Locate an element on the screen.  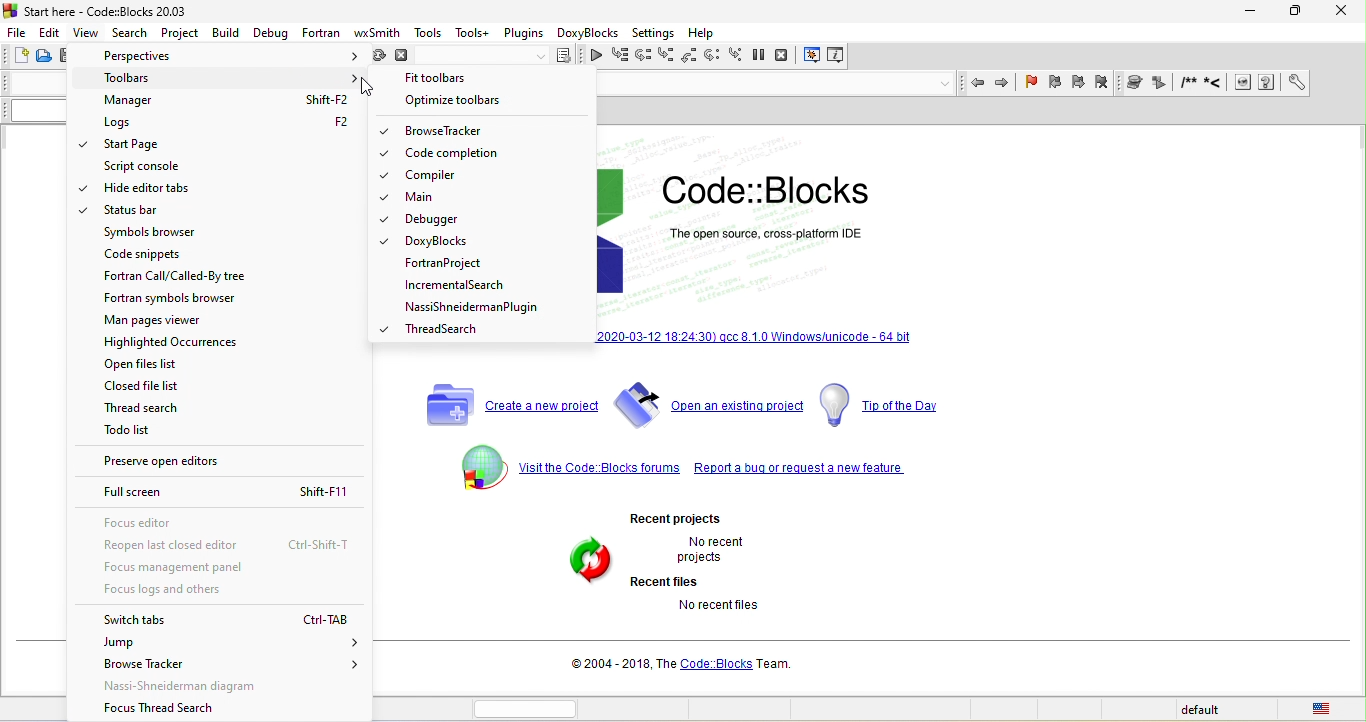
browse tracker is located at coordinates (232, 670).